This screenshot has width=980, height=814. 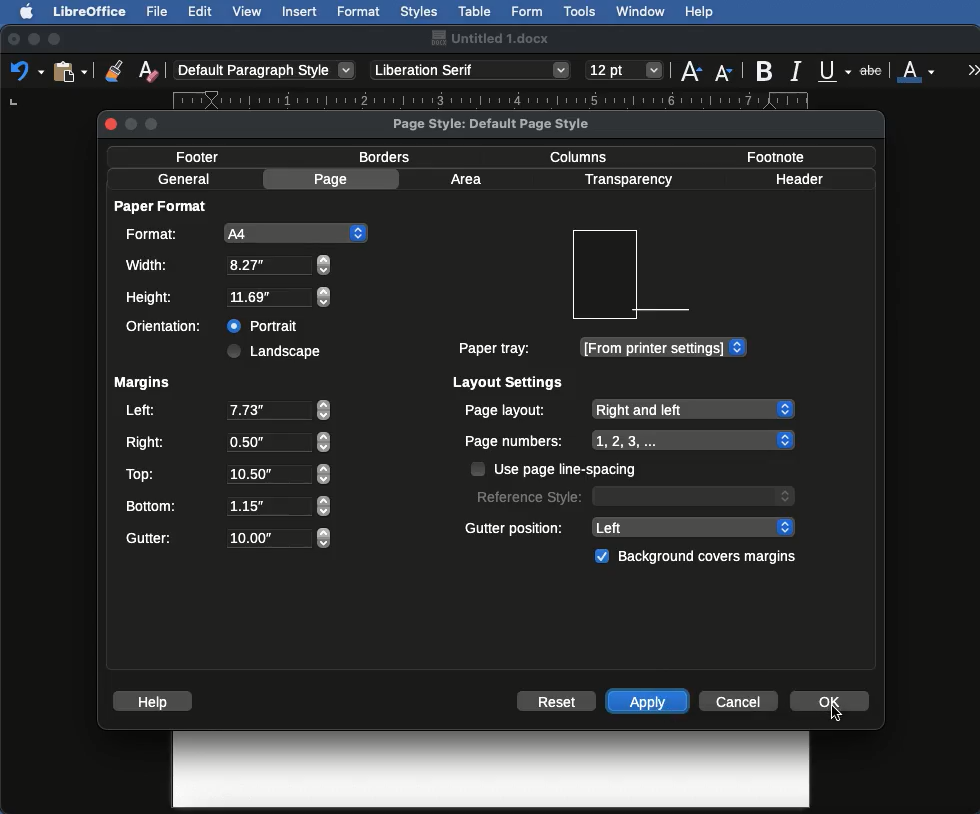 What do you see at coordinates (26, 70) in the screenshot?
I see `Undo` at bounding box center [26, 70].